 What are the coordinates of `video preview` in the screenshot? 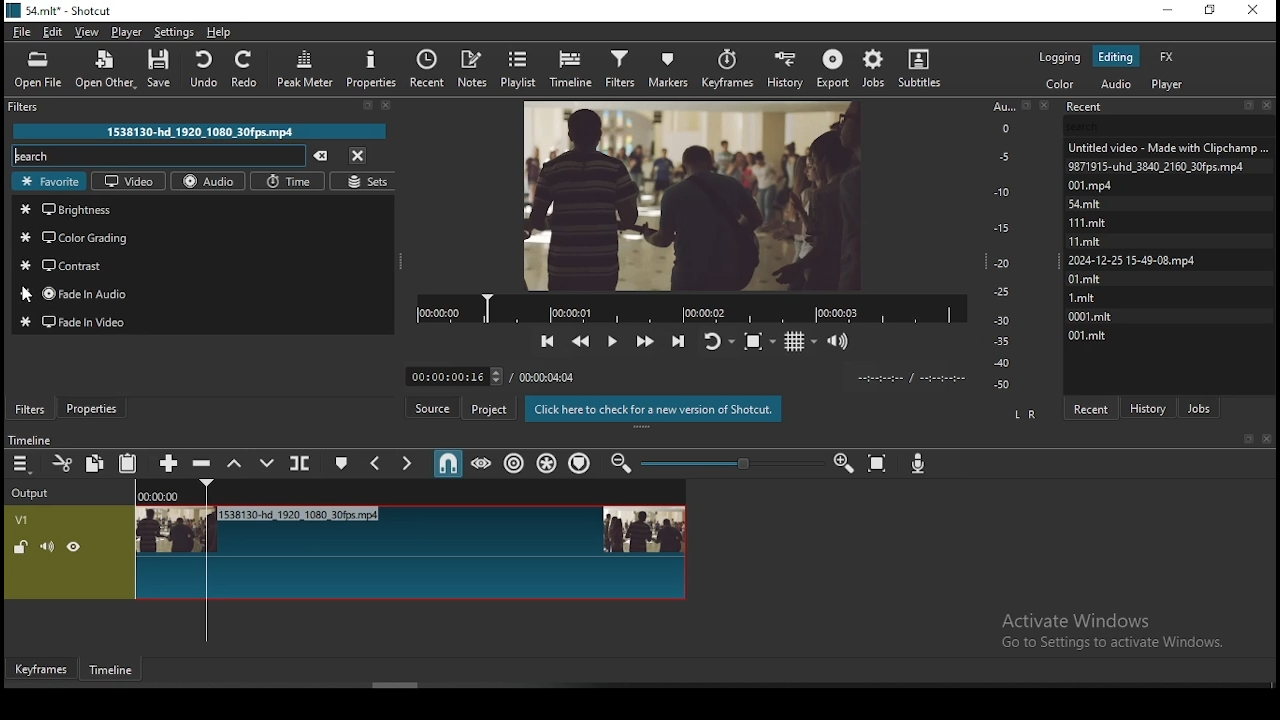 It's located at (682, 193).